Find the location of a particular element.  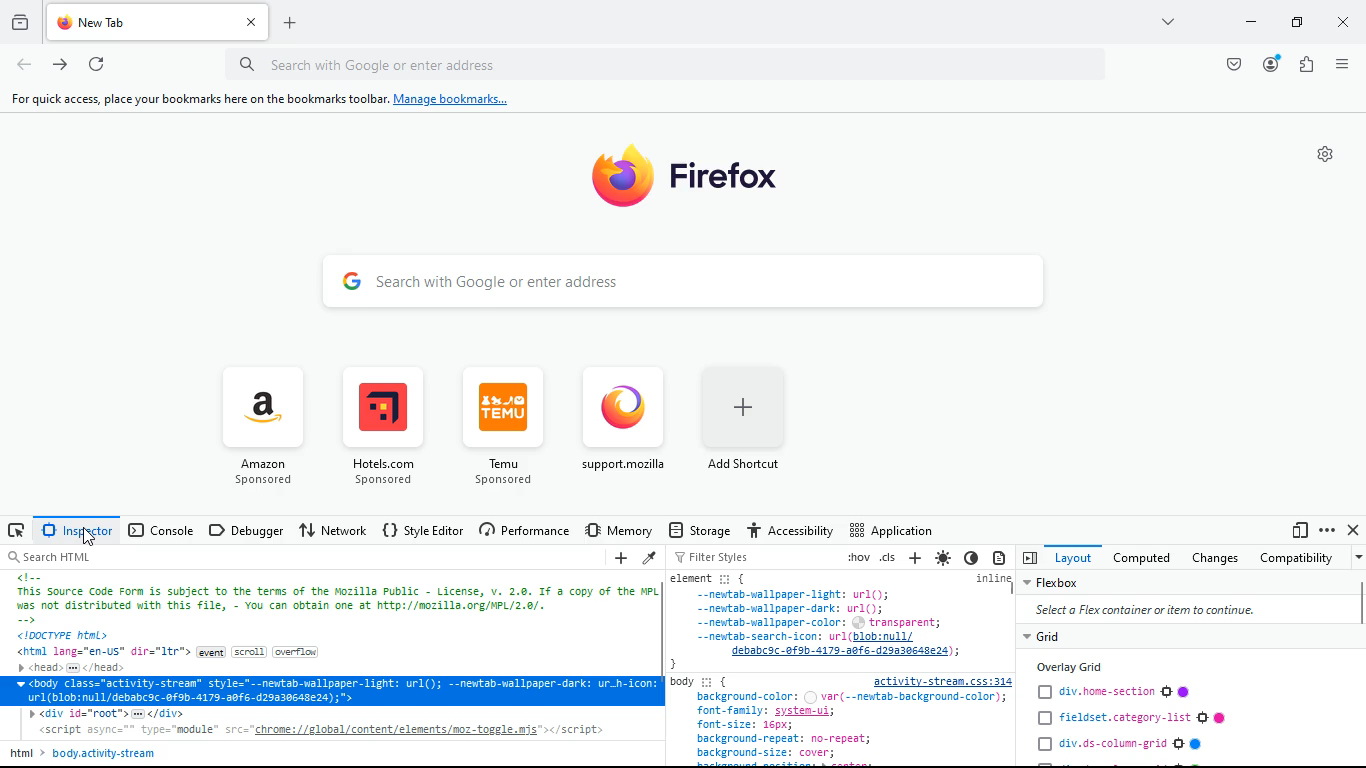

accessibility is located at coordinates (789, 528).